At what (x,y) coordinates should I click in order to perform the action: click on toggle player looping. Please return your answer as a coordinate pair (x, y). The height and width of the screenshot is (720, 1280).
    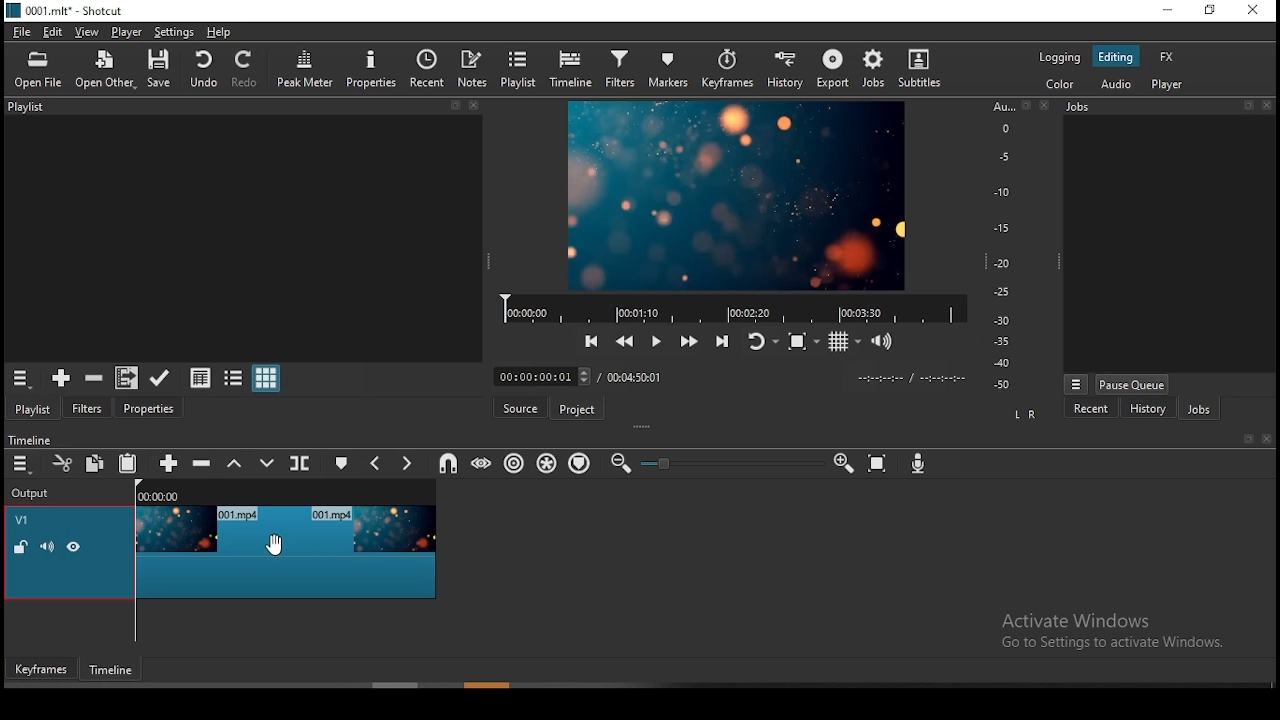
    Looking at the image, I should click on (758, 338).